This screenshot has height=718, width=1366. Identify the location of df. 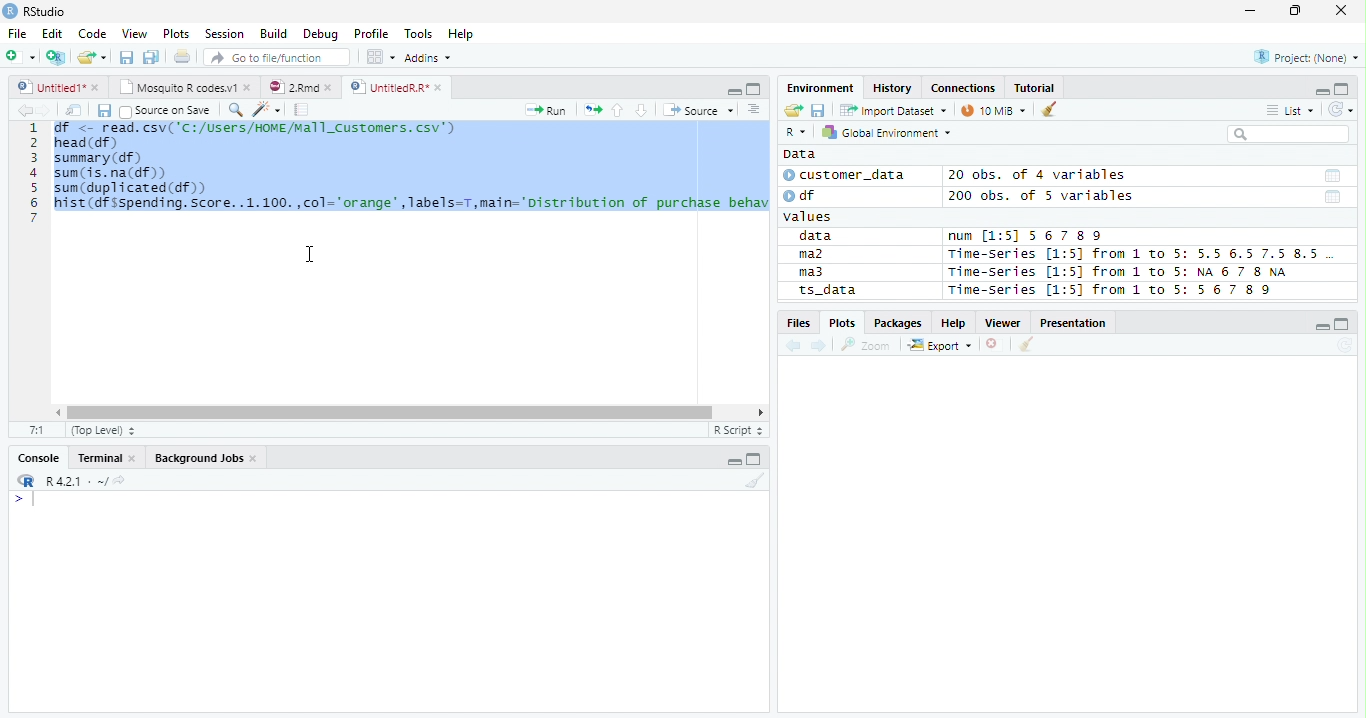
(806, 195).